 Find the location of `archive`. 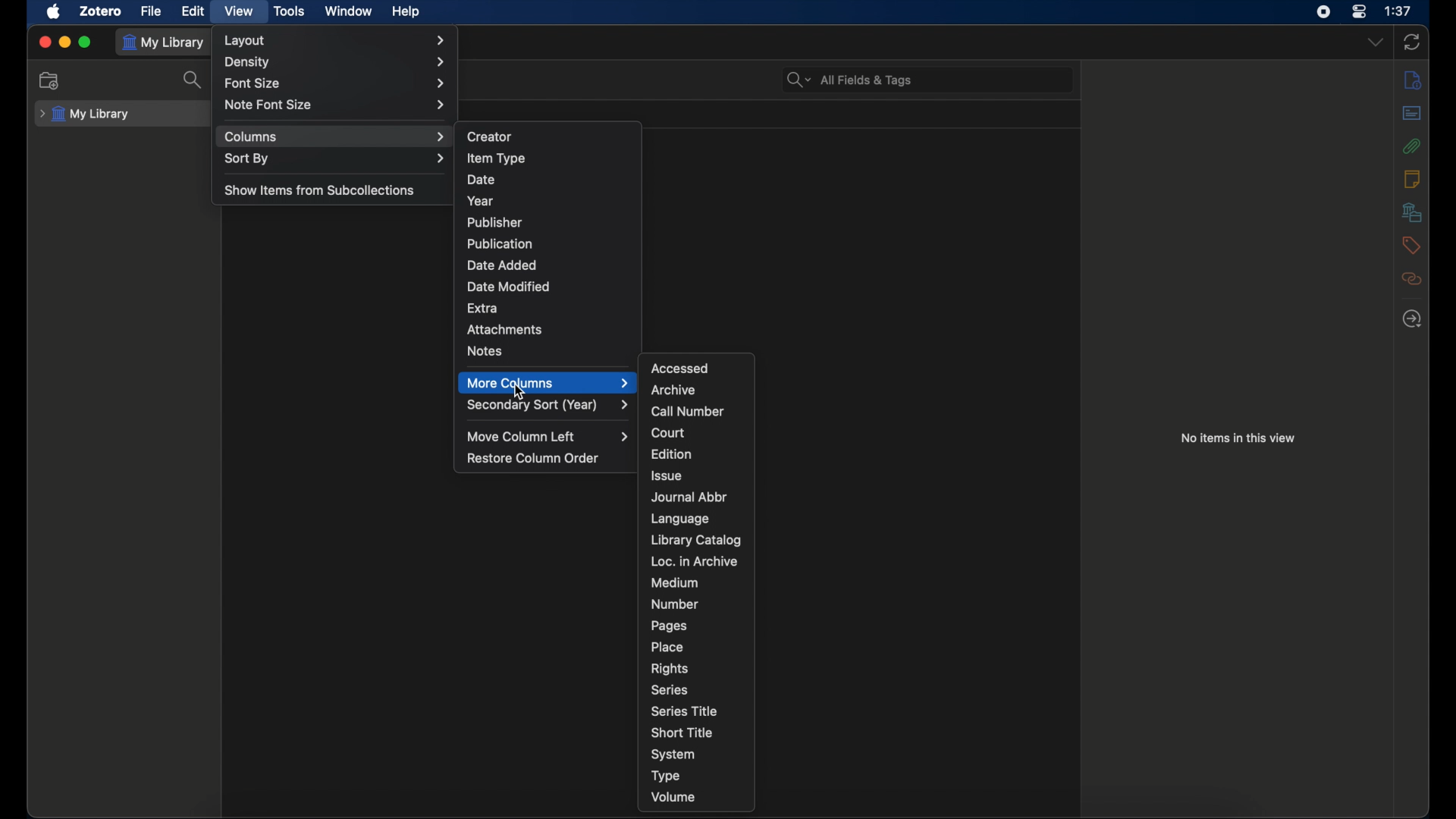

archive is located at coordinates (673, 391).